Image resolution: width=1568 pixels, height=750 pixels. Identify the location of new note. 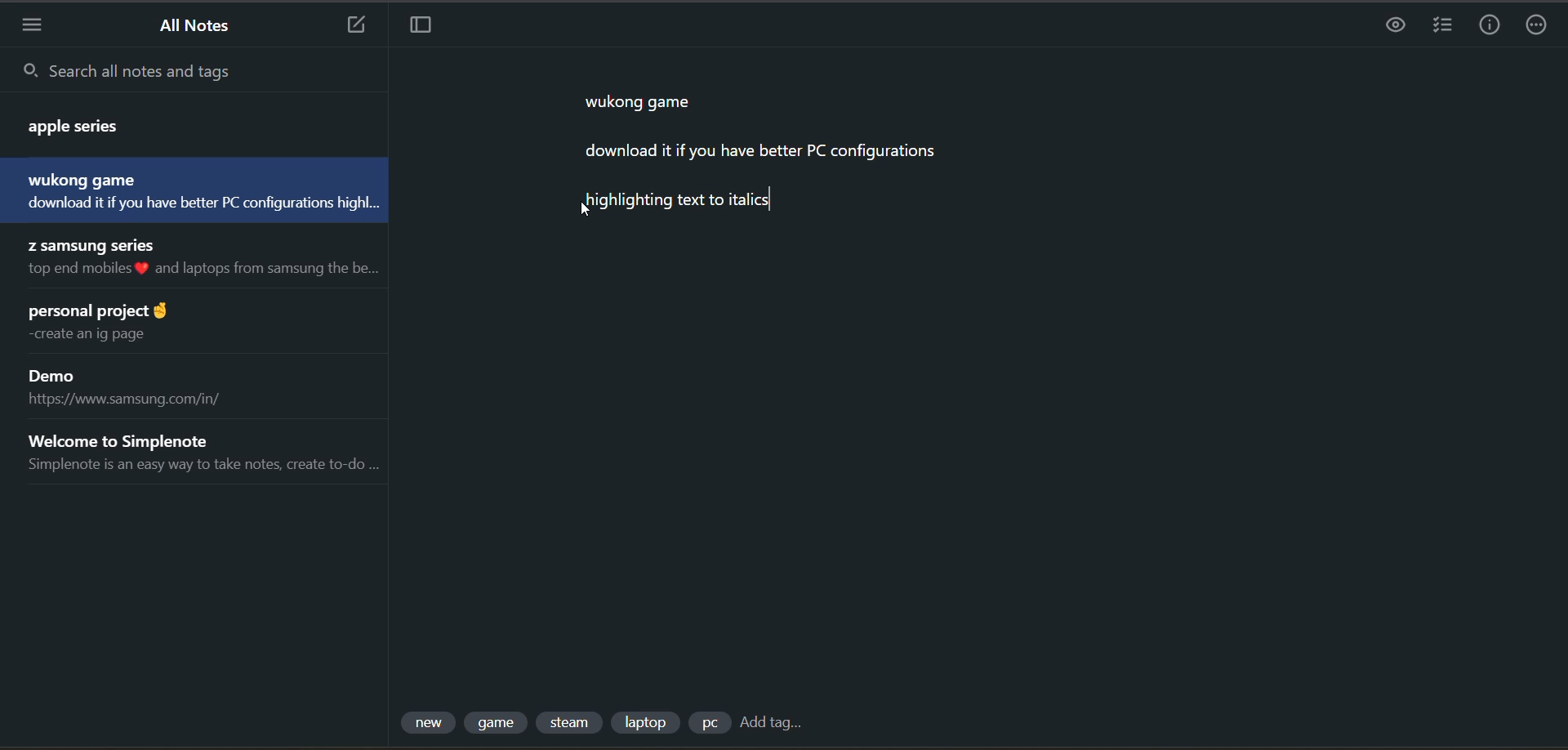
(355, 25).